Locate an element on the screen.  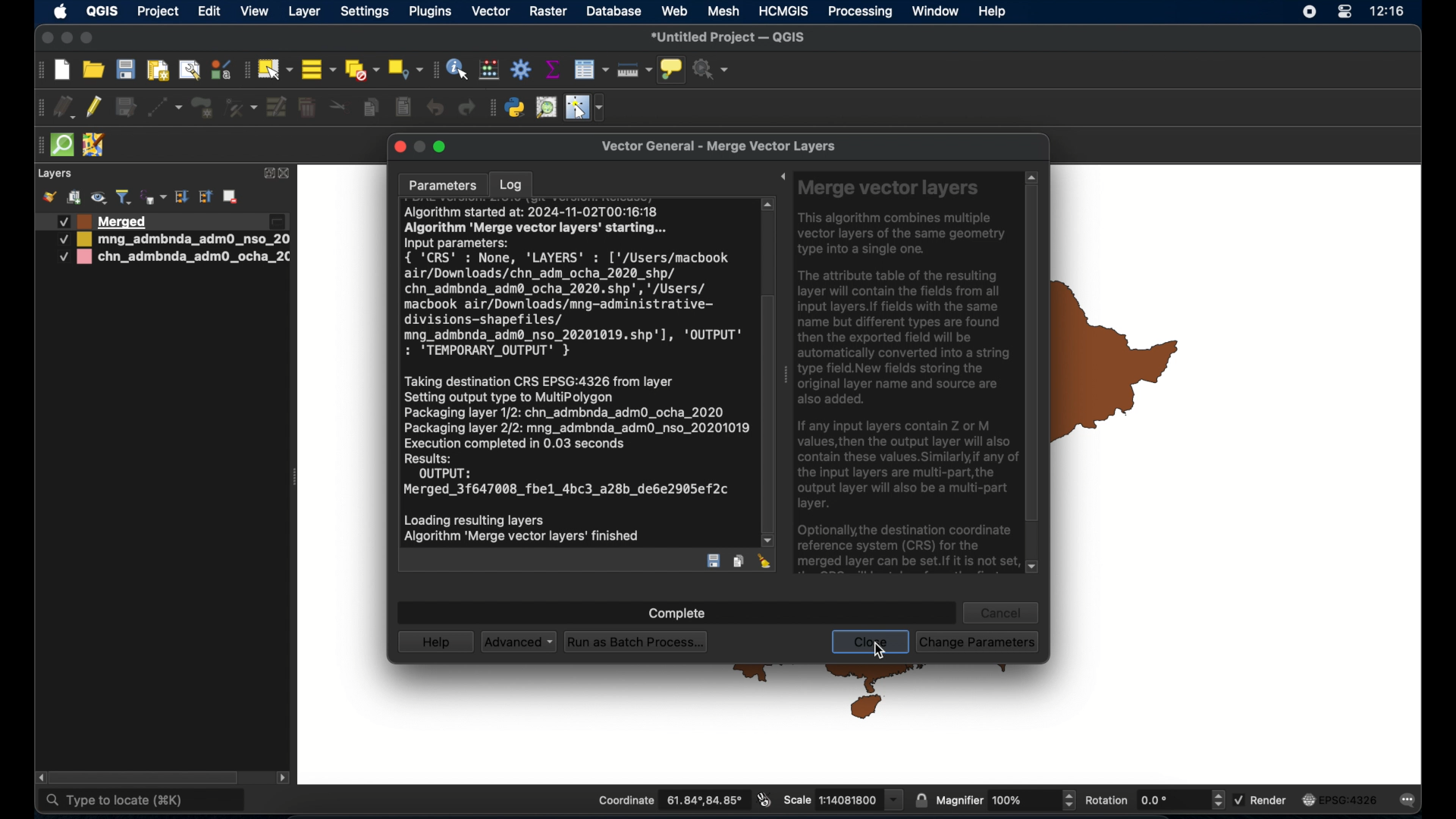
toolbox is located at coordinates (522, 70).